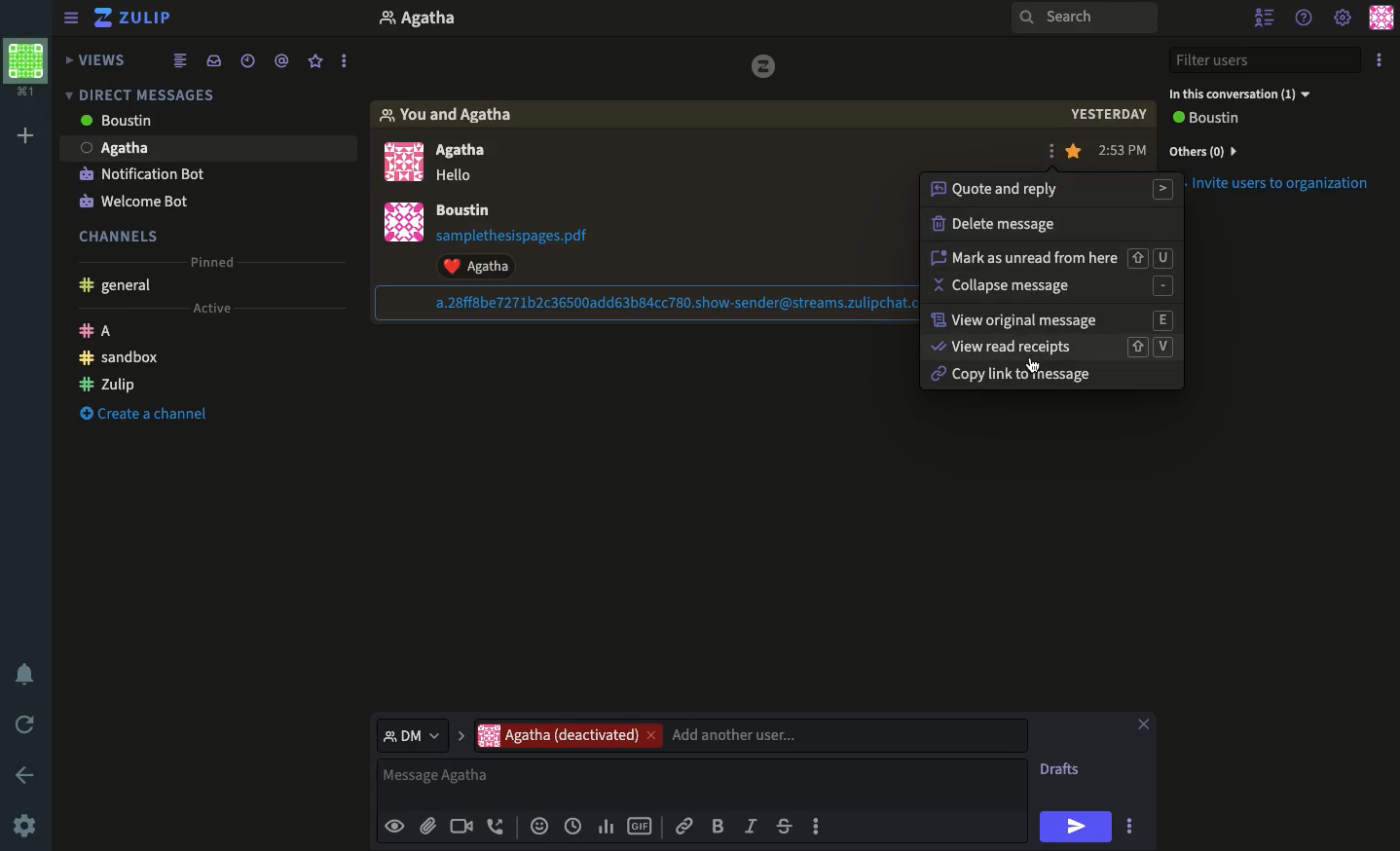  Describe the element at coordinates (139, 416) in the screenshot. I see `Create a channel` at that location.